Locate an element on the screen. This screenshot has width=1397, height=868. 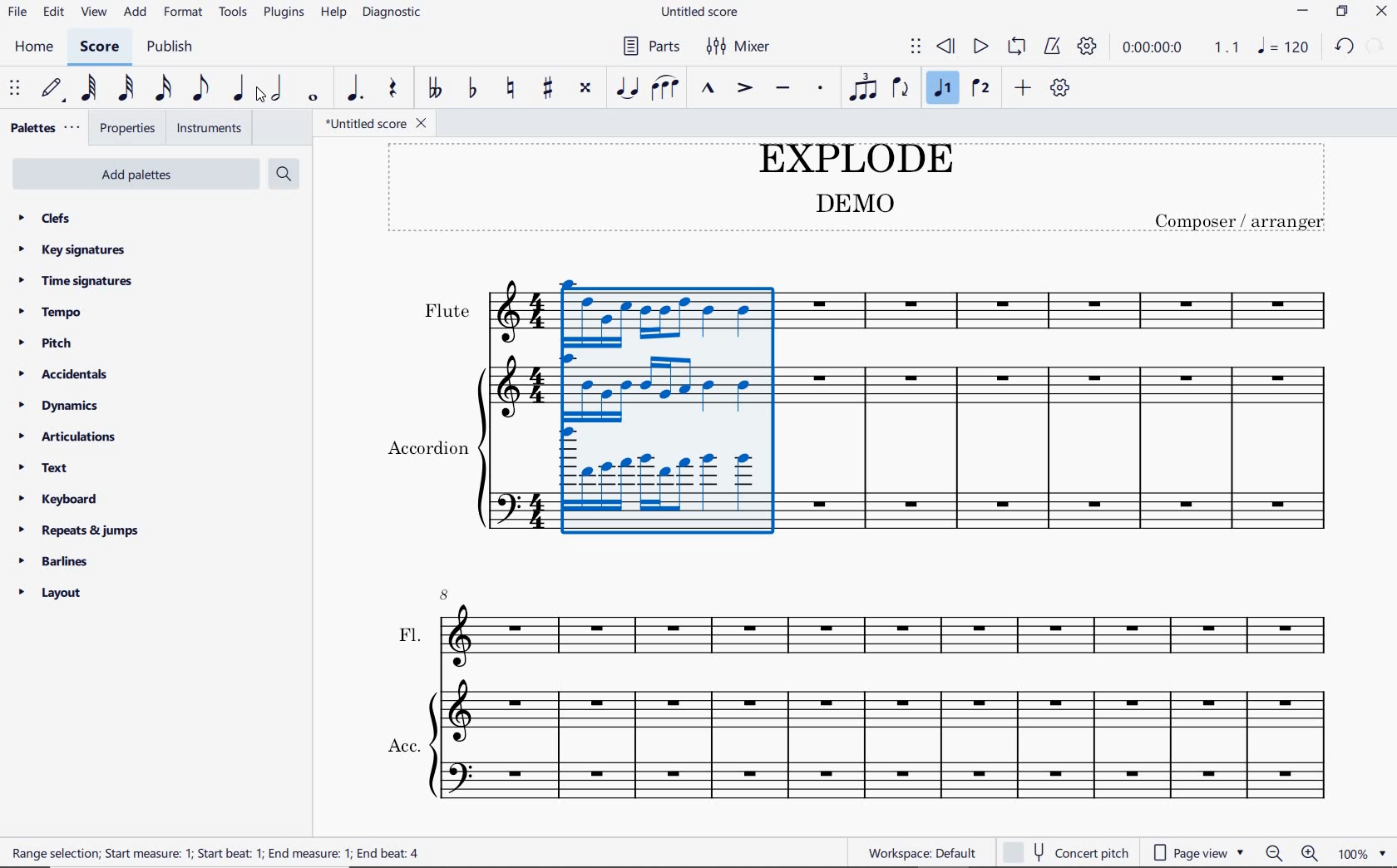
FL is located at coordinates (863, 590).